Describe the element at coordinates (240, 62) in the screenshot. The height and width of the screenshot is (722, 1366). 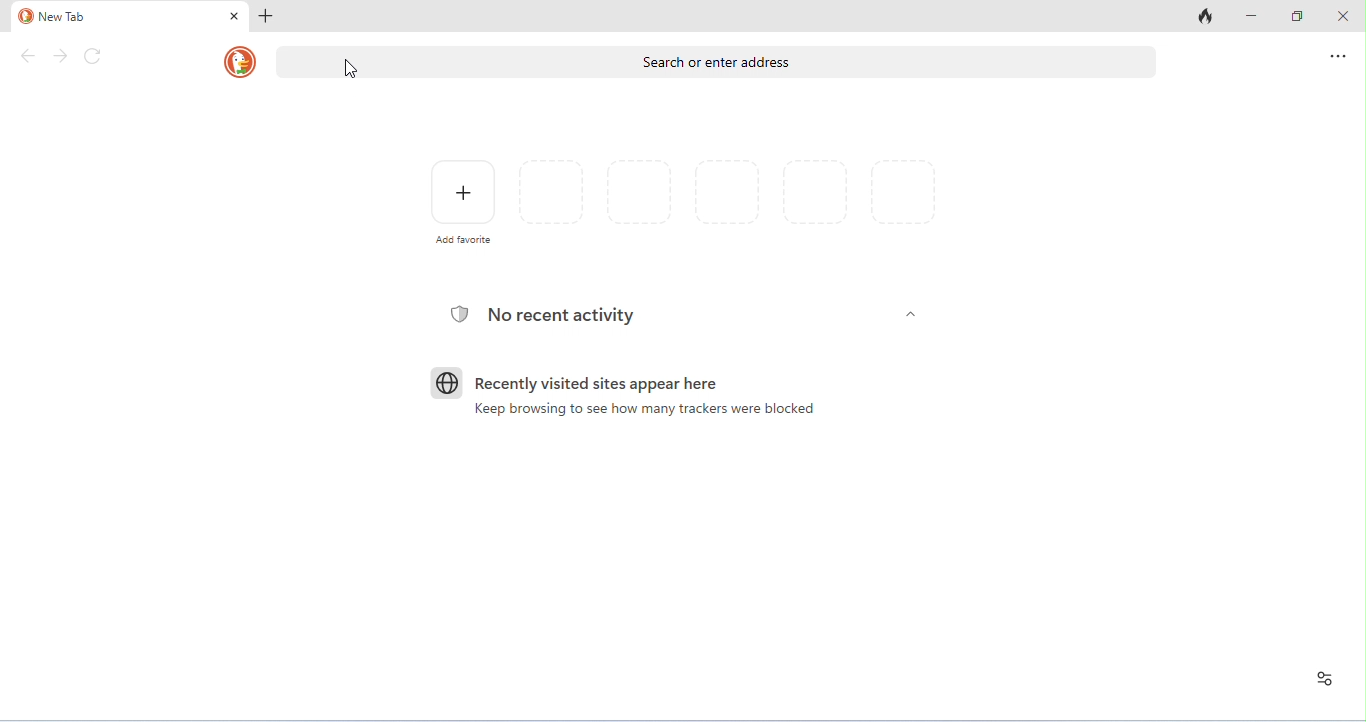
I see `duckduck go logo` at that location.